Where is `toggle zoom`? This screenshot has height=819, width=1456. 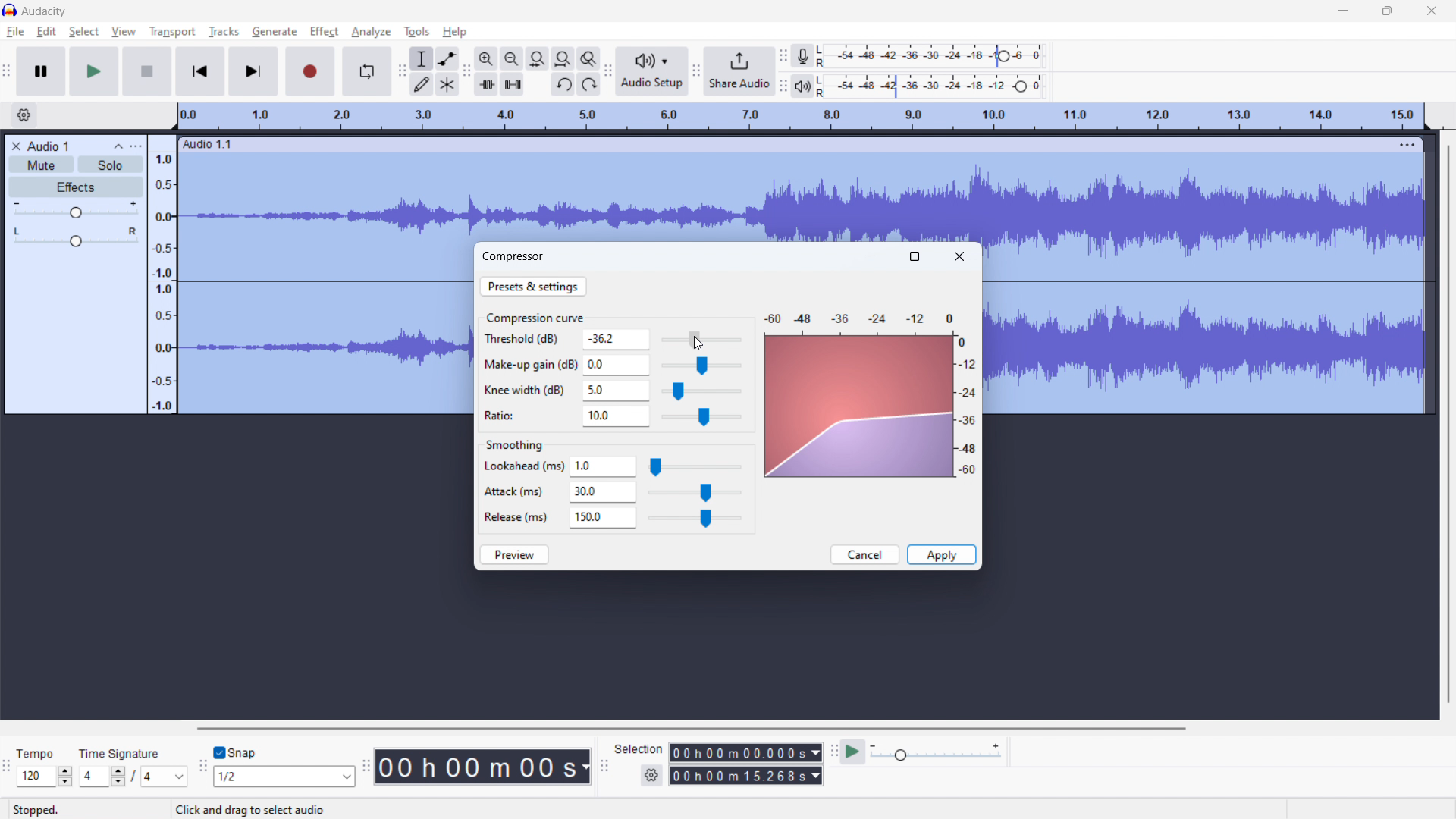
toggle zoom is located at coordinates (589, 58).